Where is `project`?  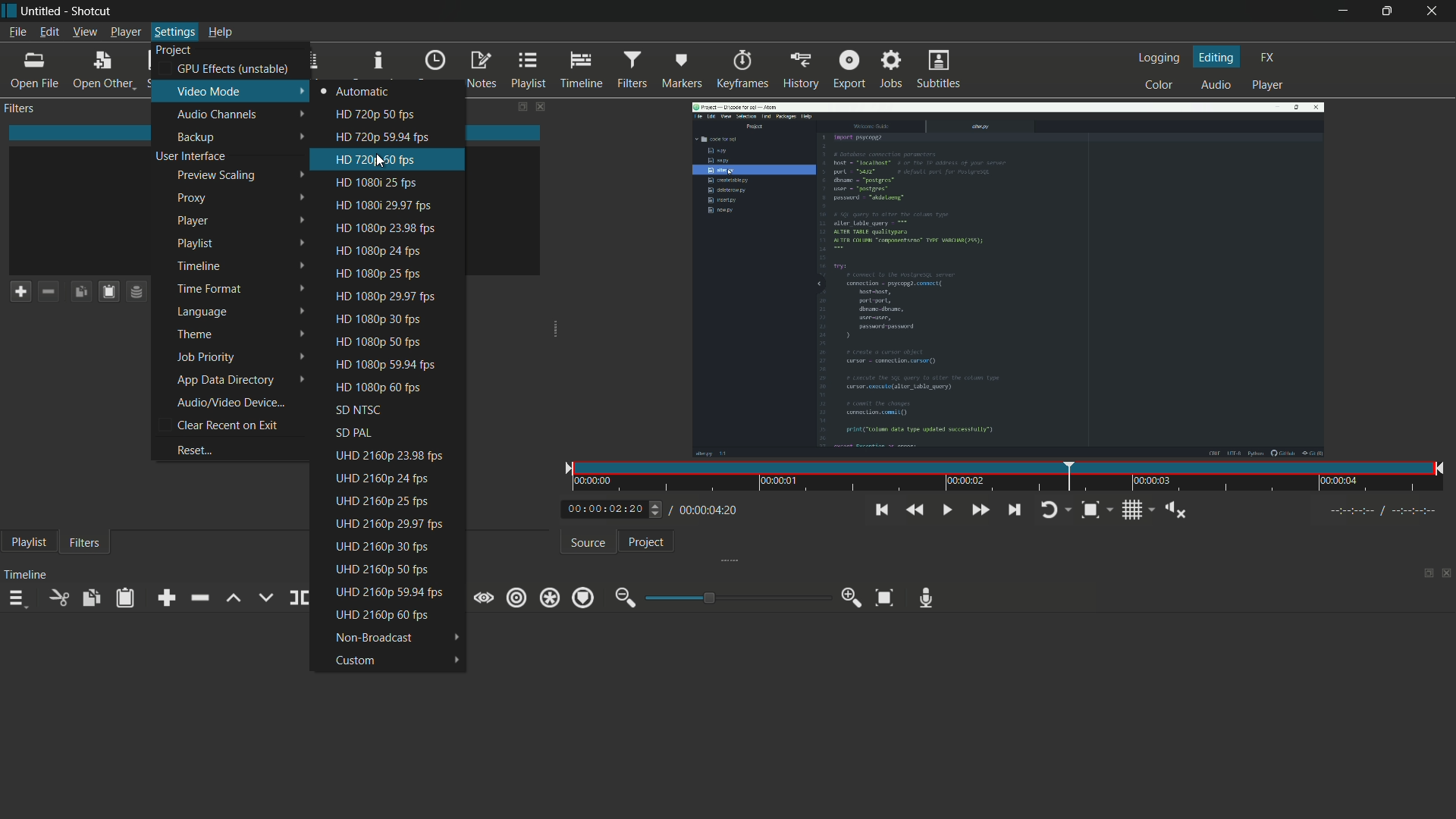 project is located at coordinates (645, 541).